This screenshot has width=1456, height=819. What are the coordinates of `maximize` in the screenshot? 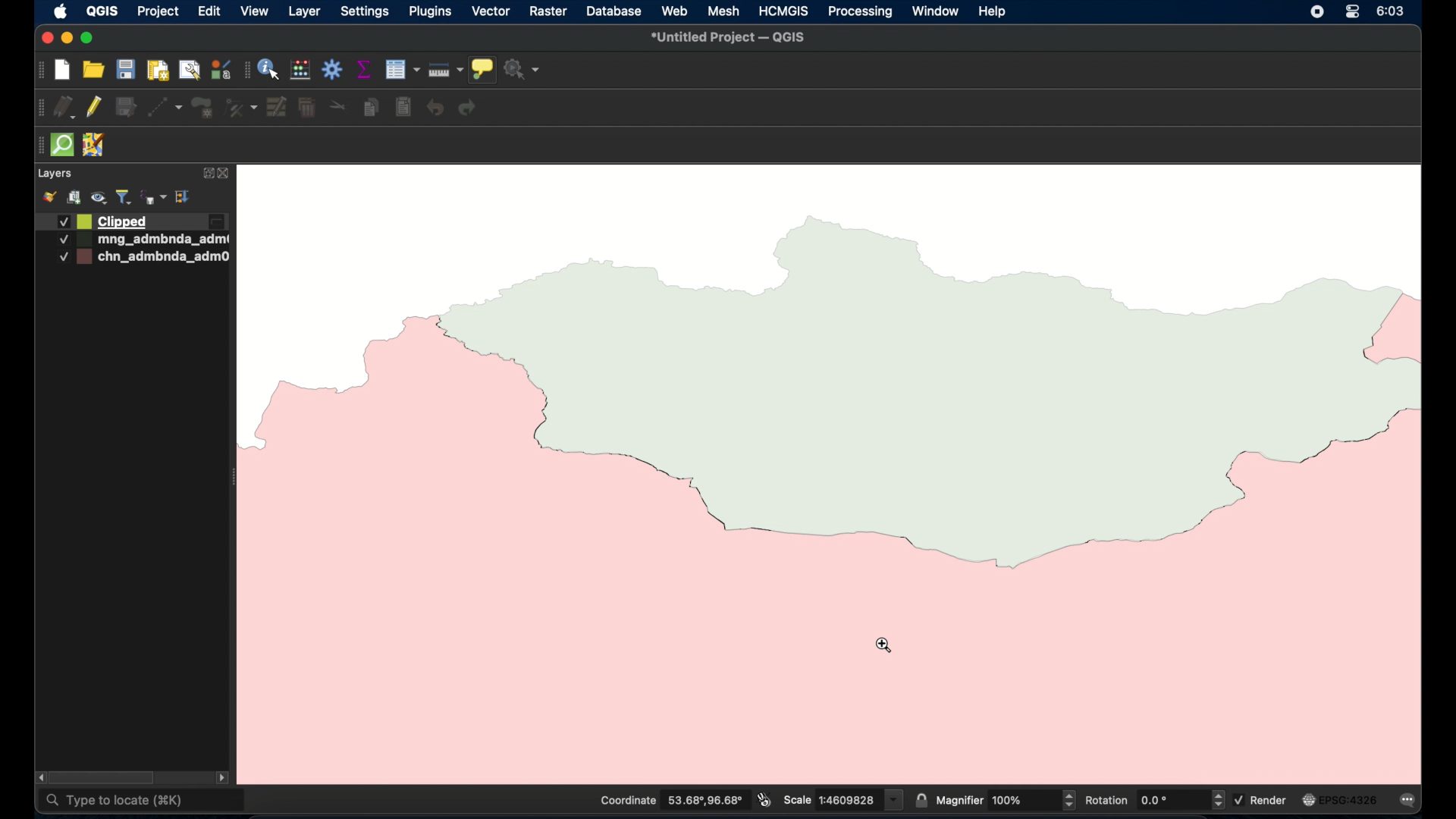 It's located at (86, 39).